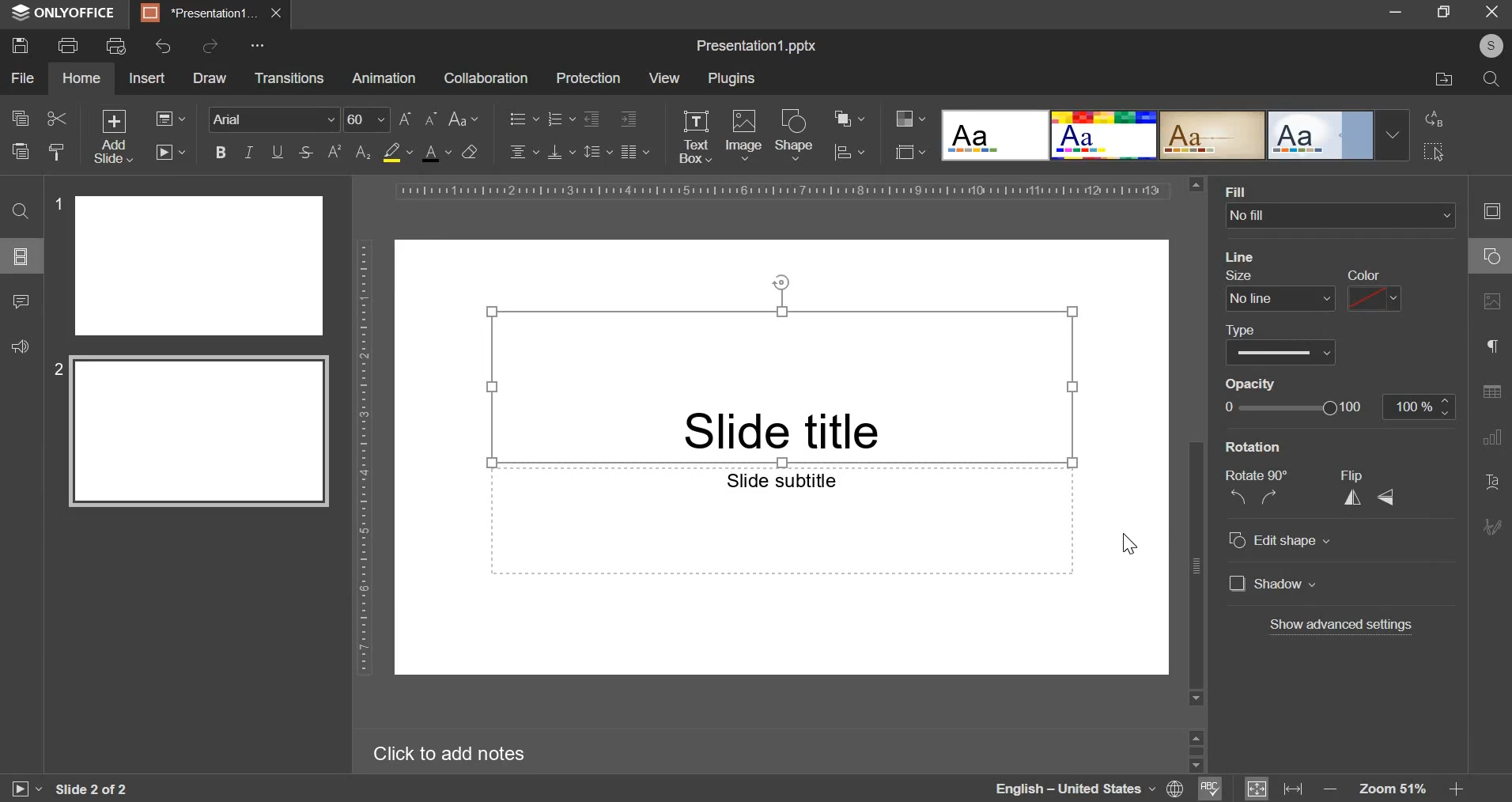 The image size is (1512, 802). I want to click on rotate 90, so click(1258, 475).